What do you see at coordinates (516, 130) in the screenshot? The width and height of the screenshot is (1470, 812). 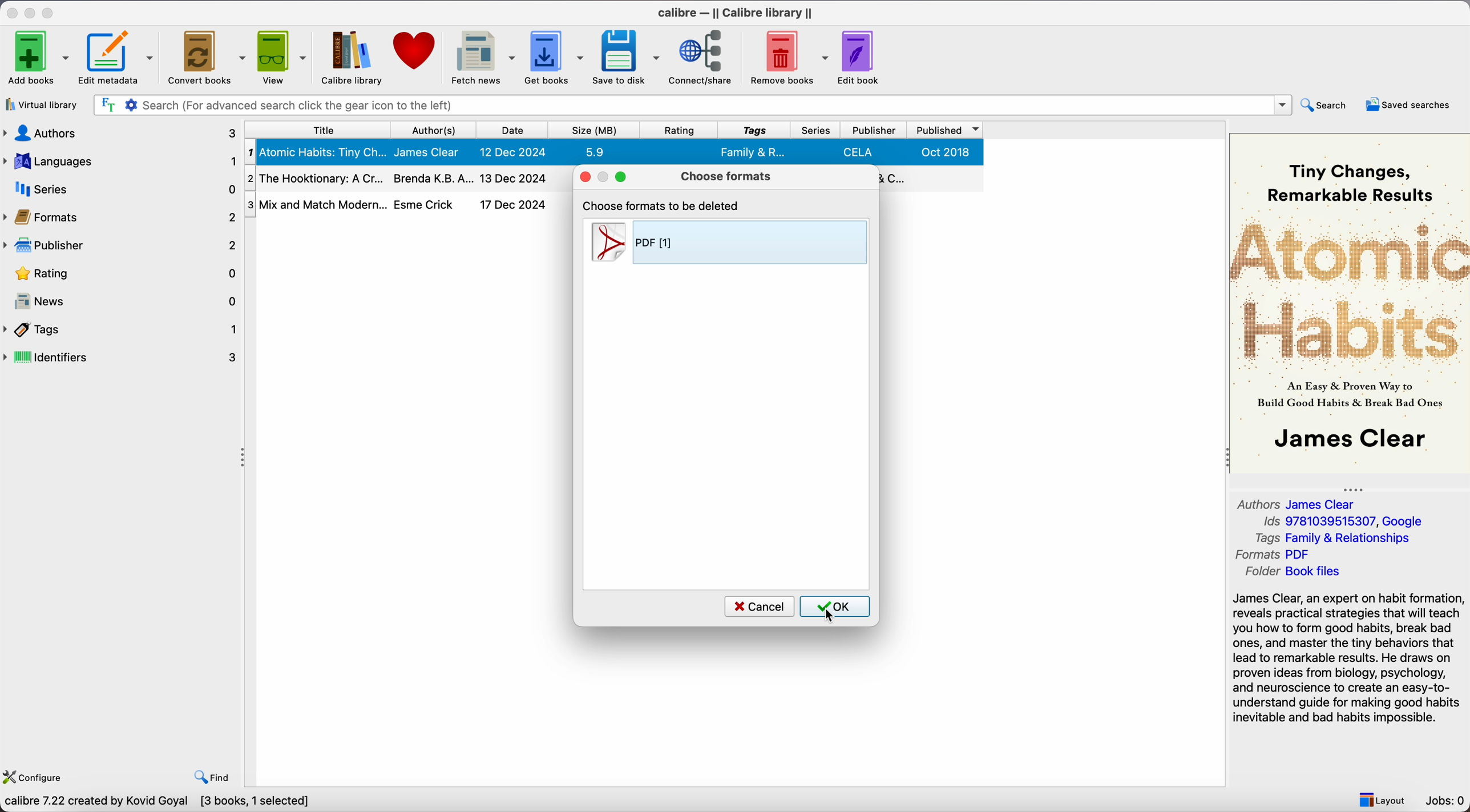 I see `date` at bounding box center [516, 130].